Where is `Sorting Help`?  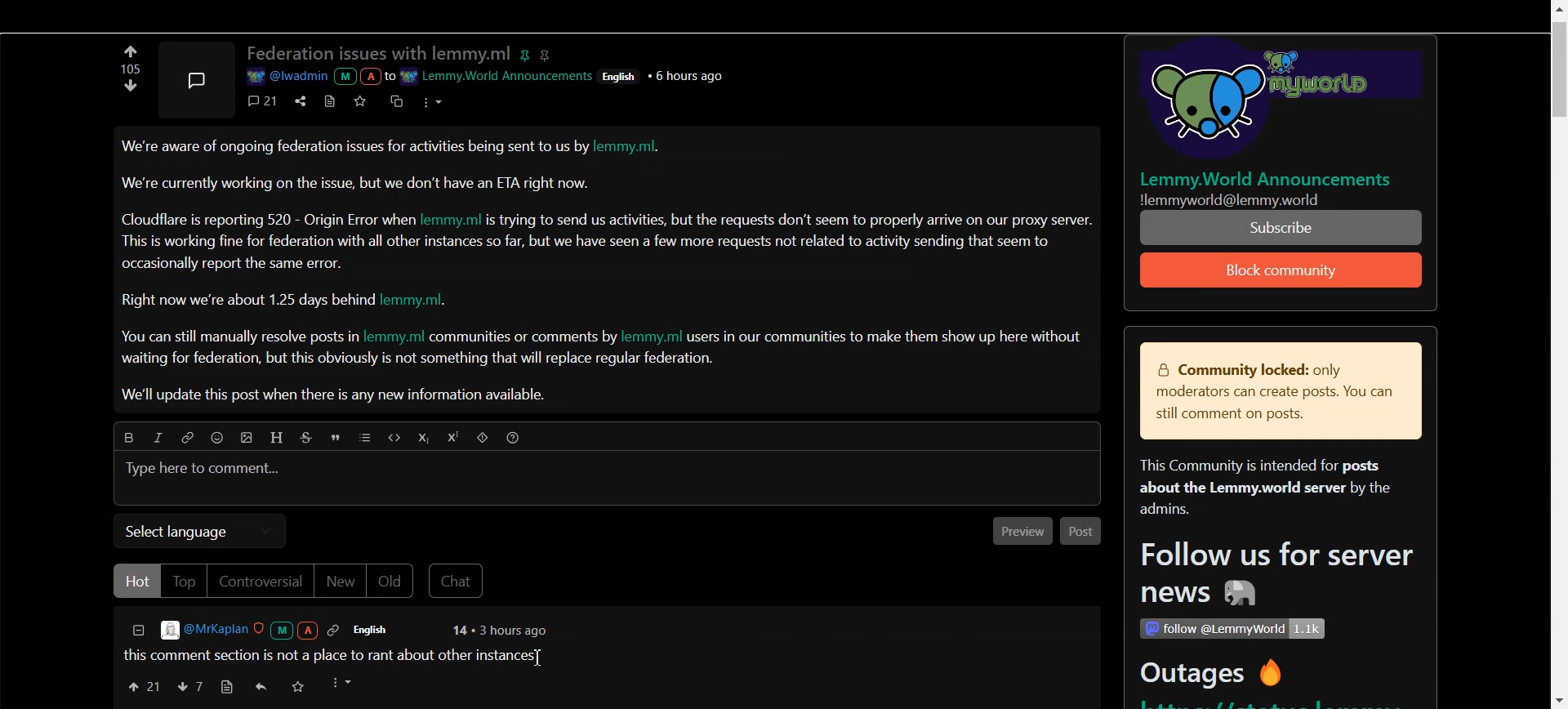 Sorting Help is located at coordinates (514, 437).